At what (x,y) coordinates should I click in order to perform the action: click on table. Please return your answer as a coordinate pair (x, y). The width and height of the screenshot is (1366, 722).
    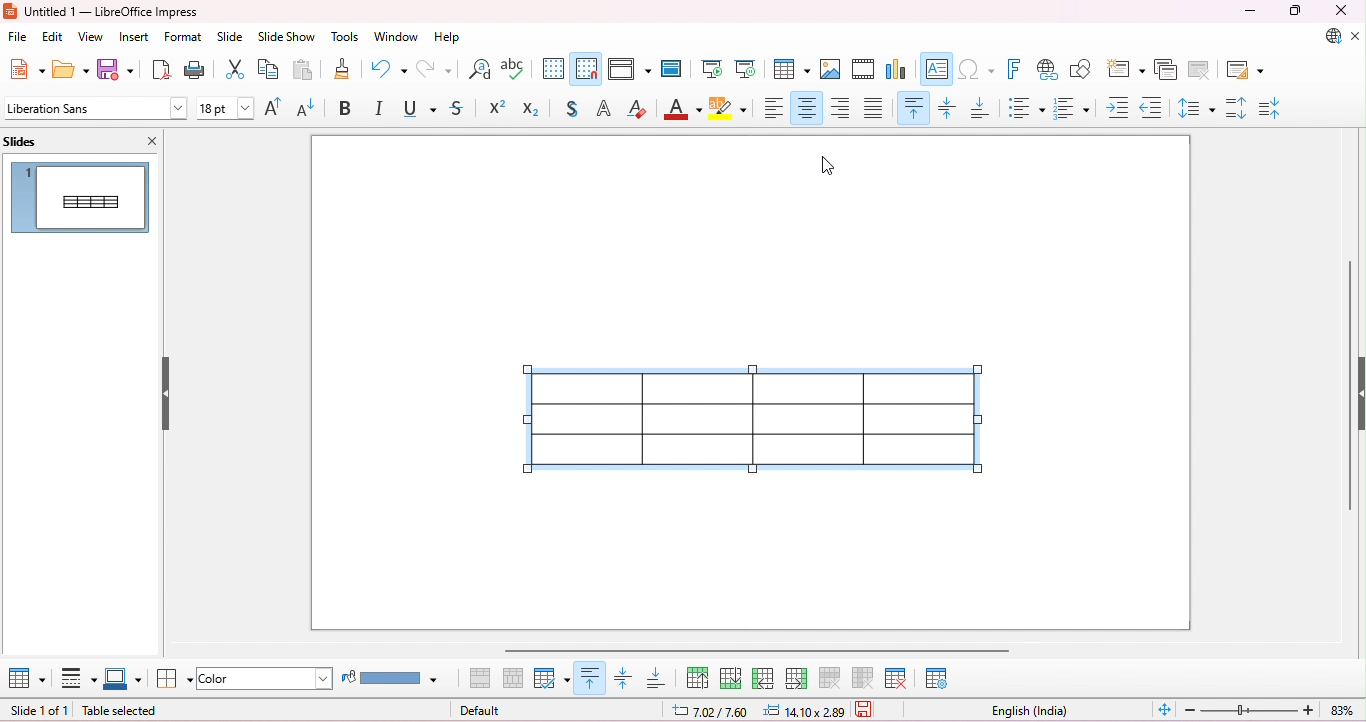
    Looking at the image, I should click on (26, 679).